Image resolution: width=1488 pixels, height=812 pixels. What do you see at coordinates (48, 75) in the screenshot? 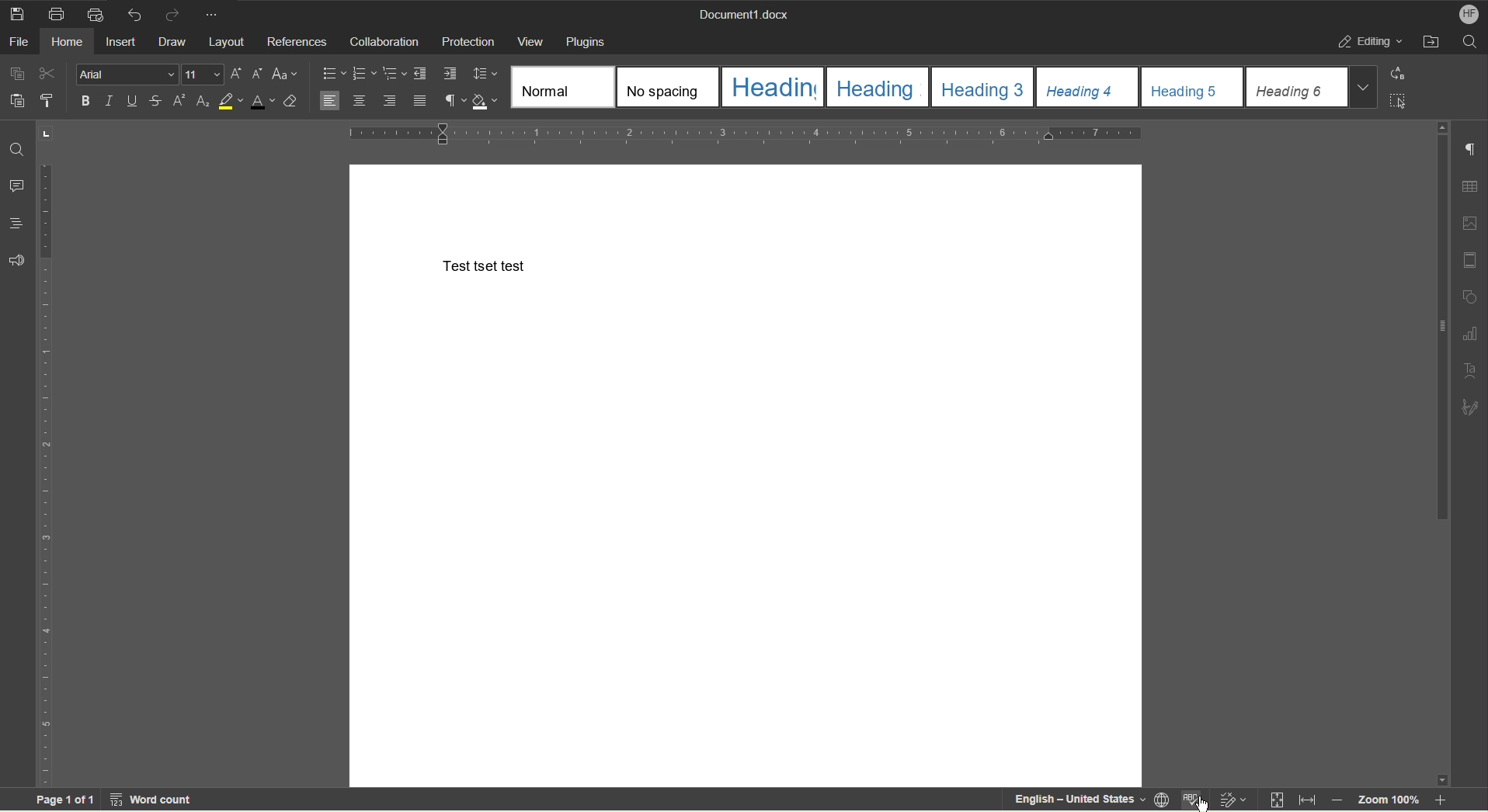
I see `Cut` at bounding box center [48, 75].